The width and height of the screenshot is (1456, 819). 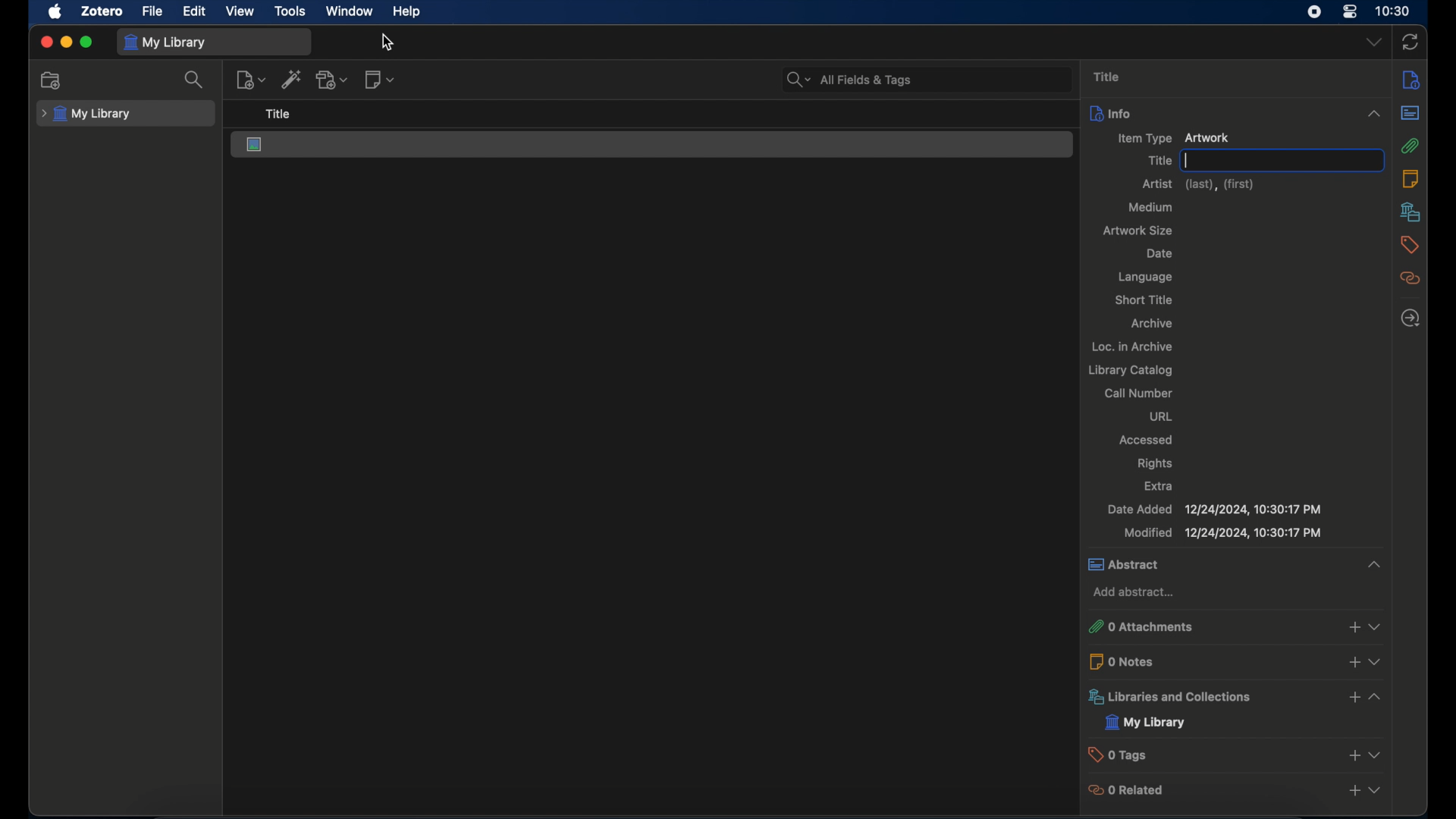 What do you see at coordinates (1353, 666) in the screenshot?
I see `add` at bounding box center [1353, 666].